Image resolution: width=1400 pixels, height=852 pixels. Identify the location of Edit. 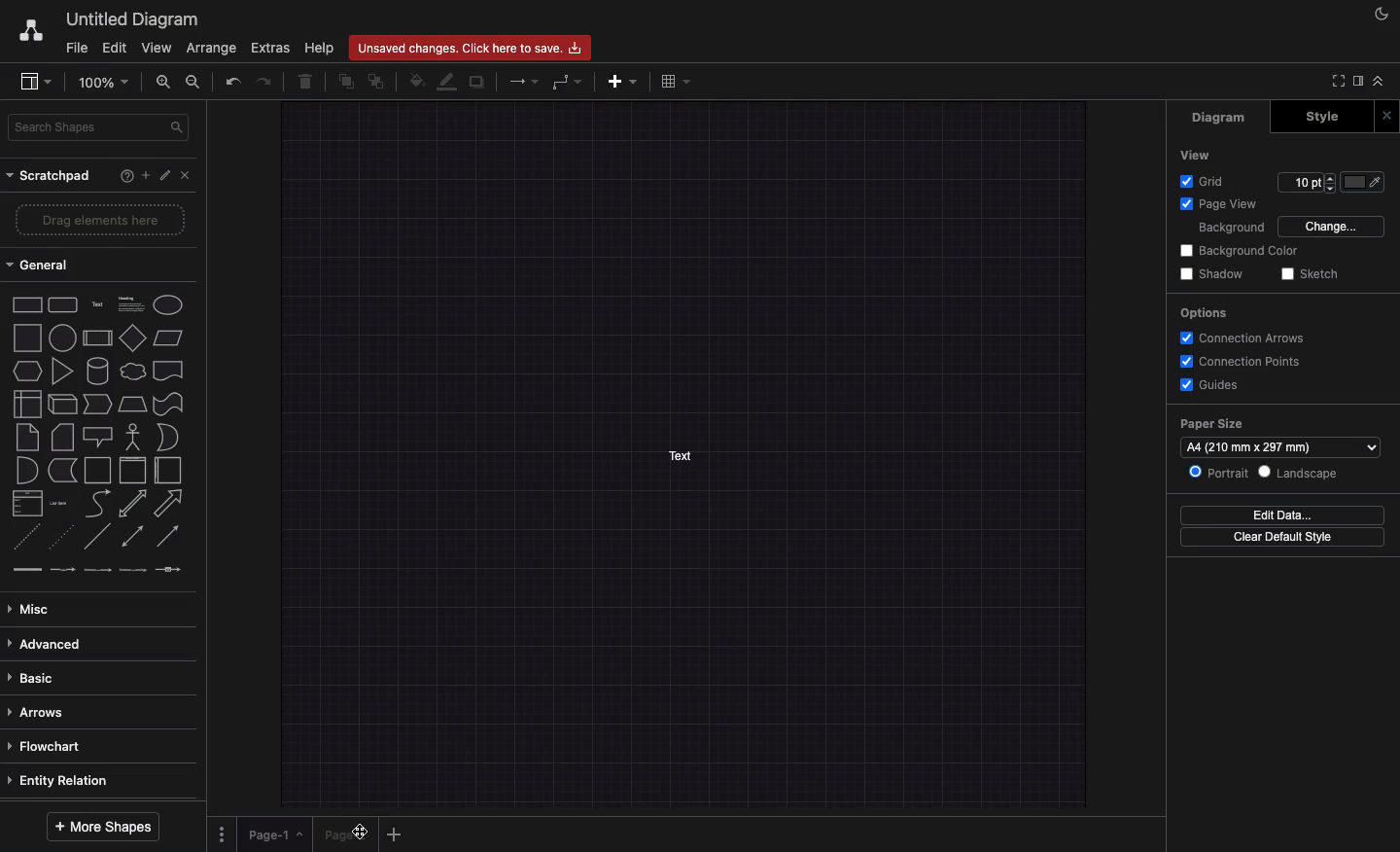
(116, 47).